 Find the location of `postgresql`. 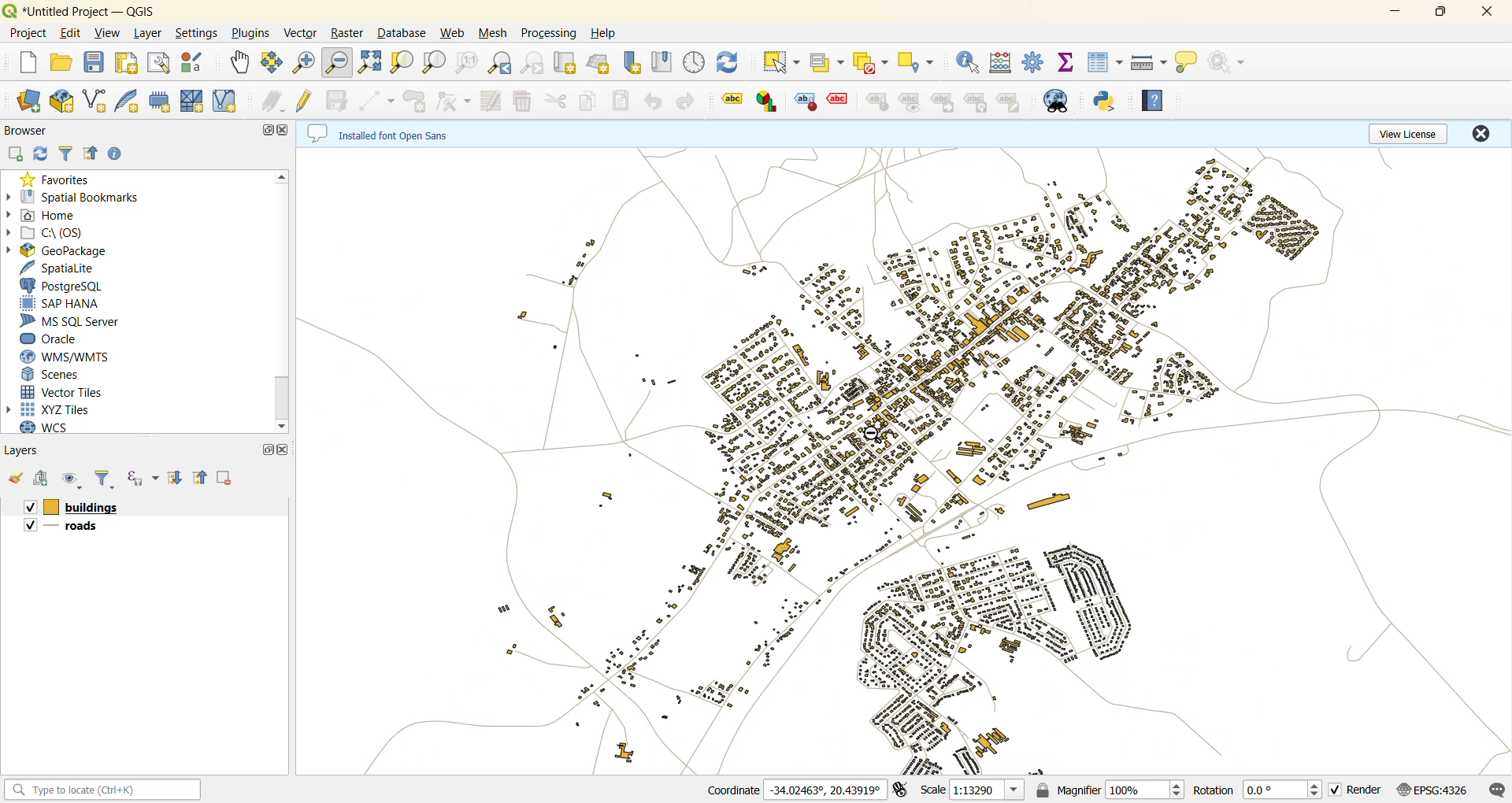

postgresql is located at coordinates (66, 286).